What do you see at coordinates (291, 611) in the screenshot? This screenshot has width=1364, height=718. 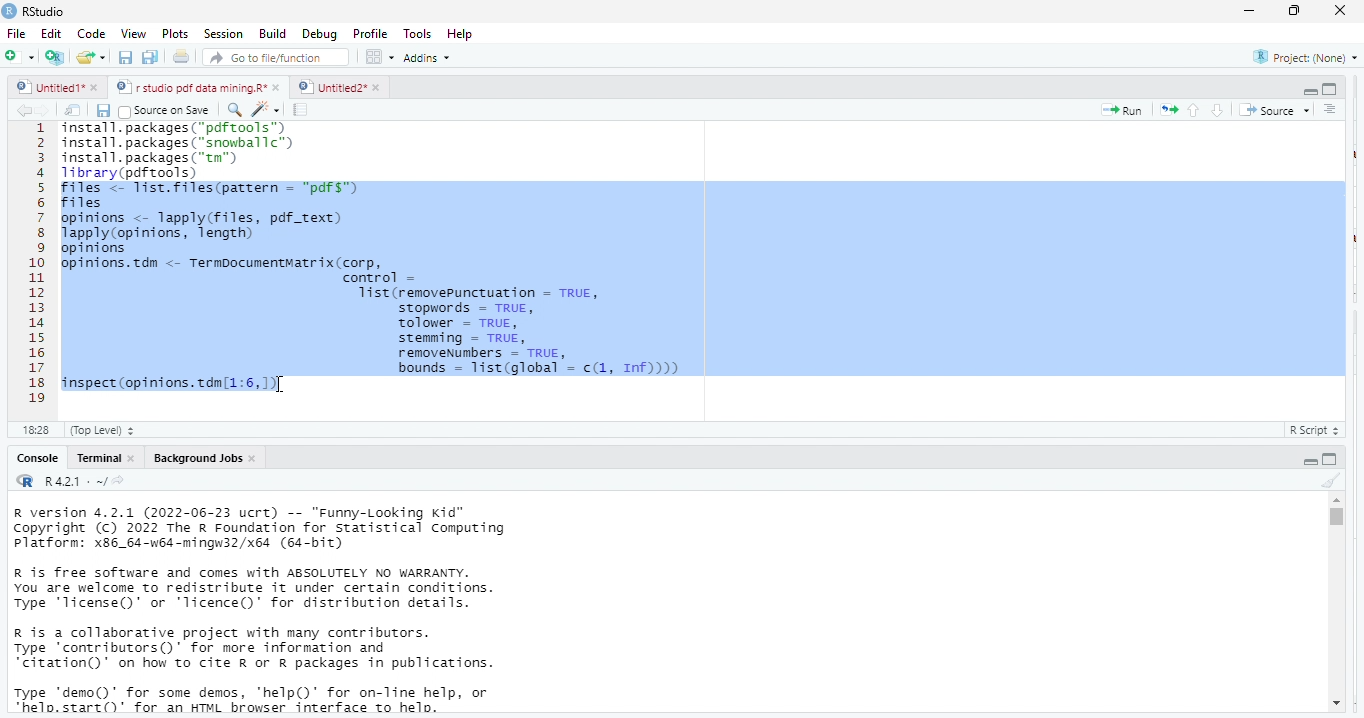 I see `R version 4.2.1 (2022-06-23 ucrt) -- "Funny-Looking Kid™
Copyright (C) 2022 The R Foundation for Statistical Computing
Platform: x86_64-w64-mingw32/x64 (64-bit)

R is free software and comes with ABSOLUTELY NO WARRANTY.
You are welcome to redistribute it under certain conditions.
Type 'Ticense()' or 'licence()’ for distribution details.

R is a collaborative project with many contributors.

Type ‘contributors()’ for more information and

“citation()’ on how to cite R or R packages in publications.
Type "demo()’ for some demos, 'help()' for on-line help, or
"helo.start()" for an HTML browser interface to helo.` at bounding box center [291, 611].